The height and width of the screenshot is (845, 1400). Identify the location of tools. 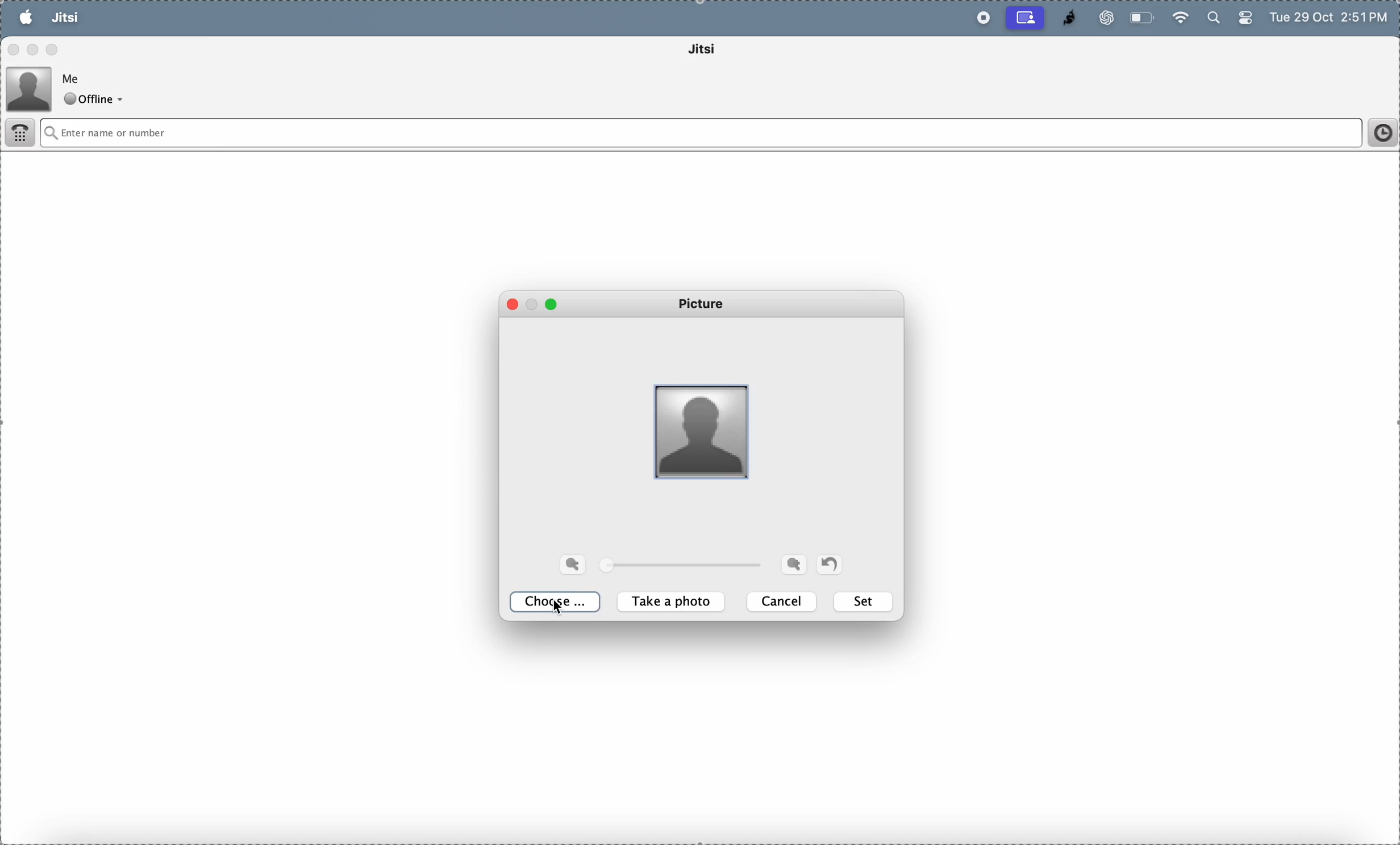
(154, 18).